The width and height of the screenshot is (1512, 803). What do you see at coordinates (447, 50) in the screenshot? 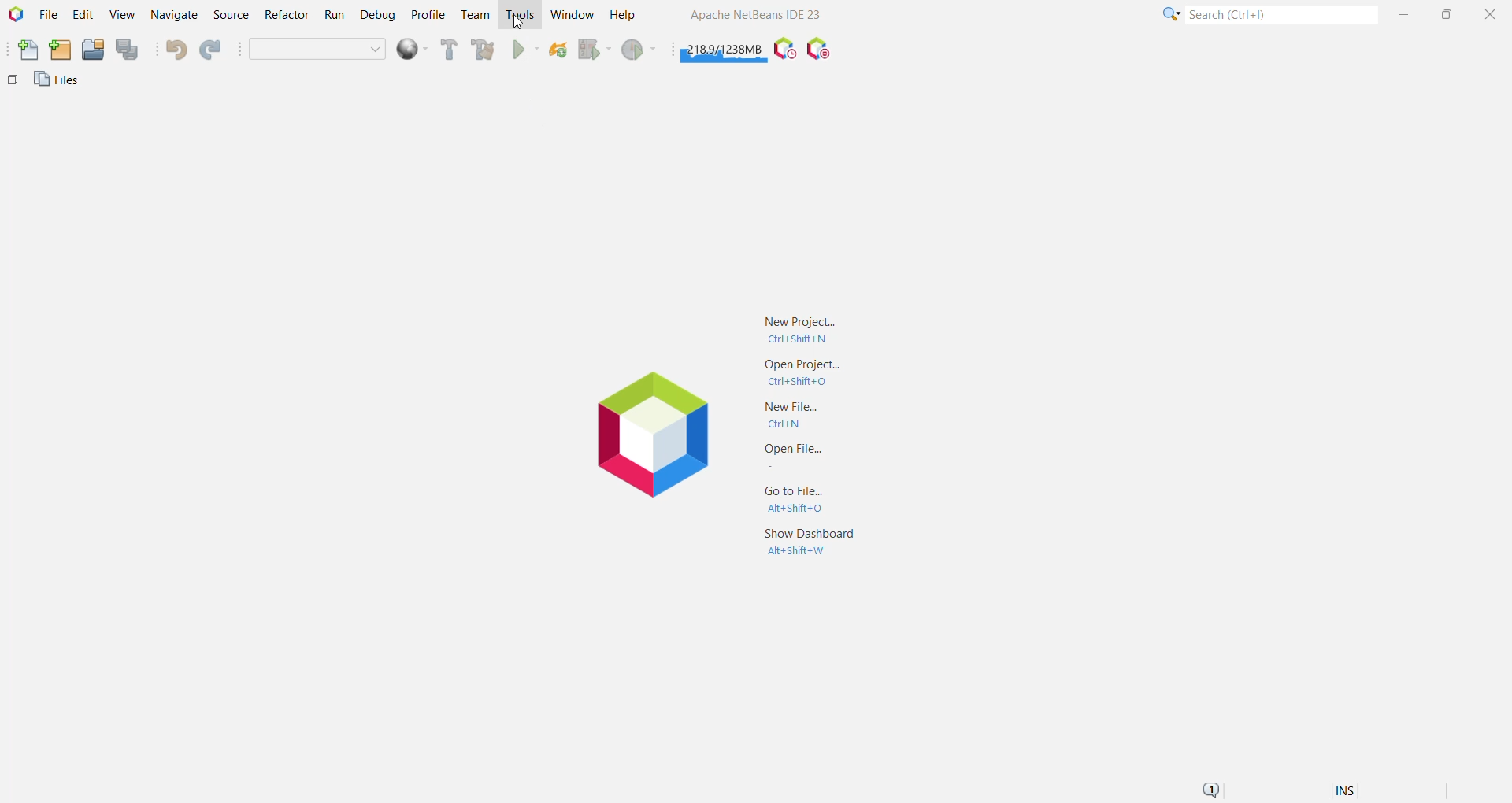
I see `Build Main Project` at bounding box center [447, 50].